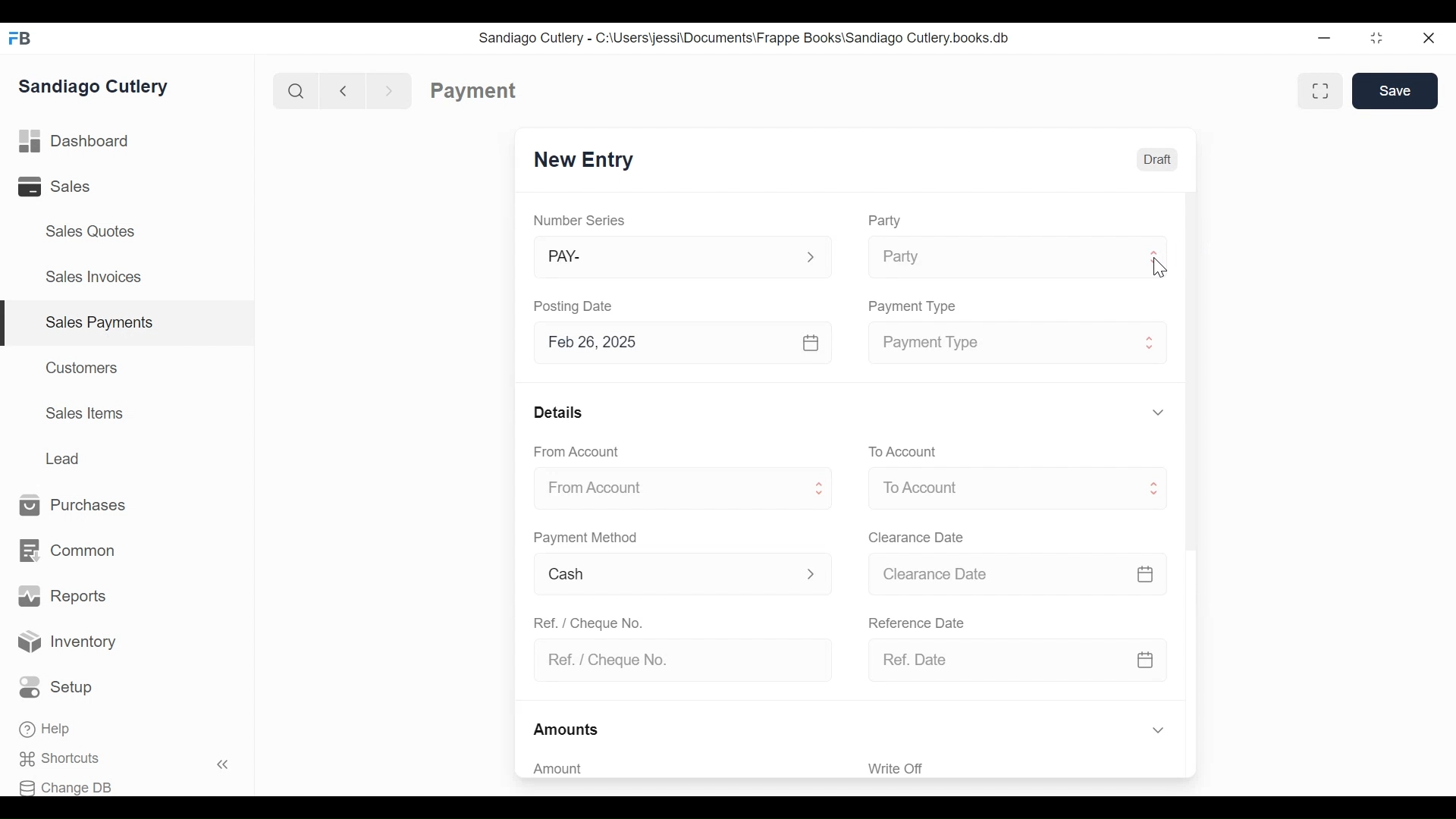 The width and height of the screenshot is (1456, 819). I want to click on Calendar, so click(1147, 660).